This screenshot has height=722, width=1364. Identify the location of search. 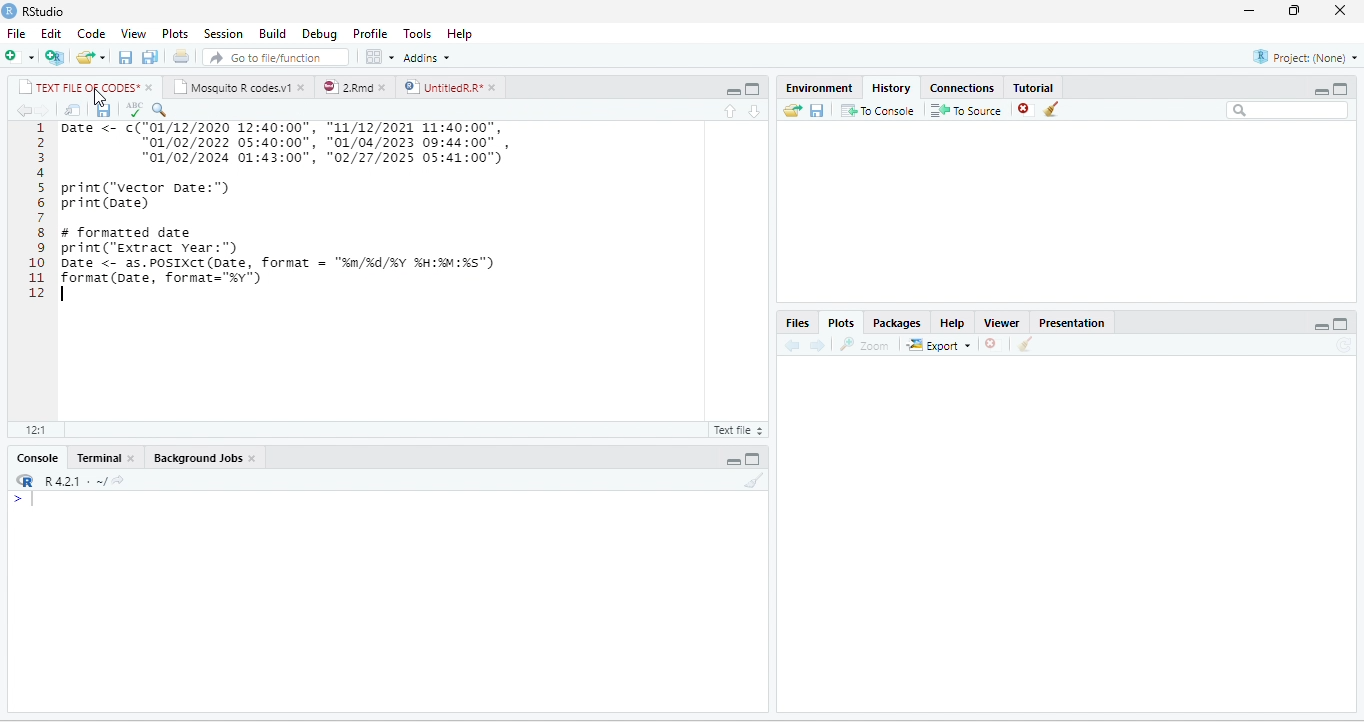
(160, 110).